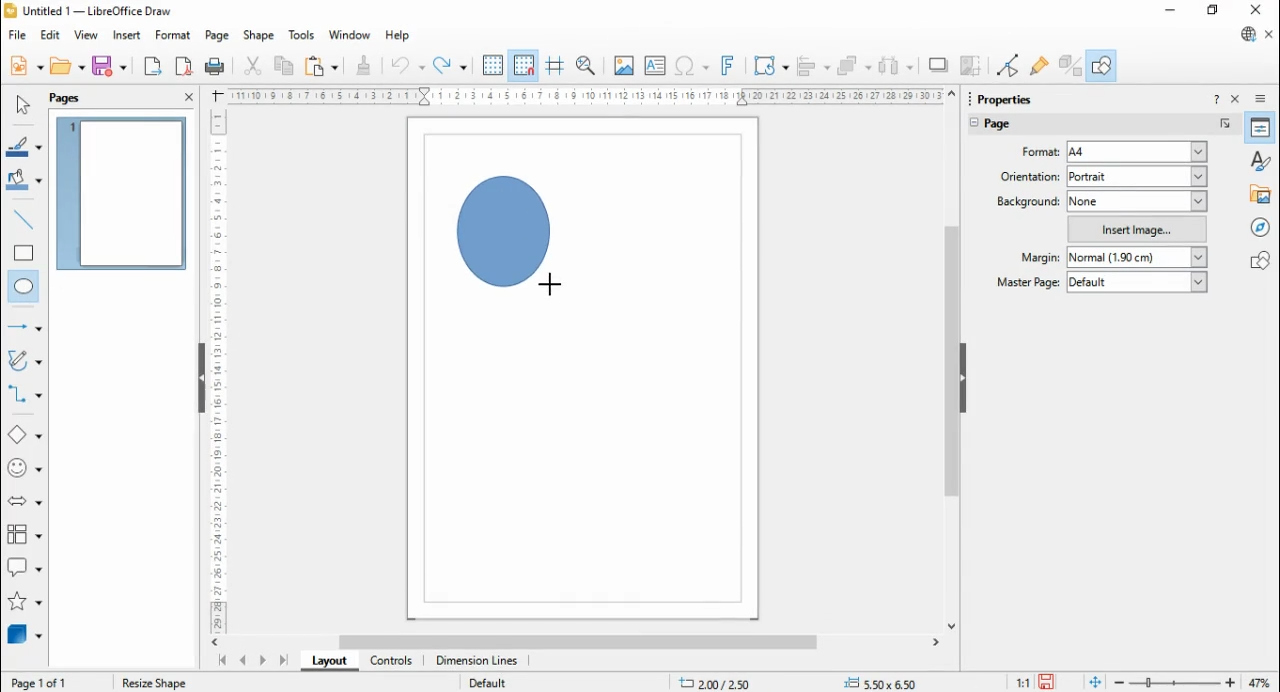 This screenshot has height=692, width=1280. I want to click on basic shapes, so click(25, 437).